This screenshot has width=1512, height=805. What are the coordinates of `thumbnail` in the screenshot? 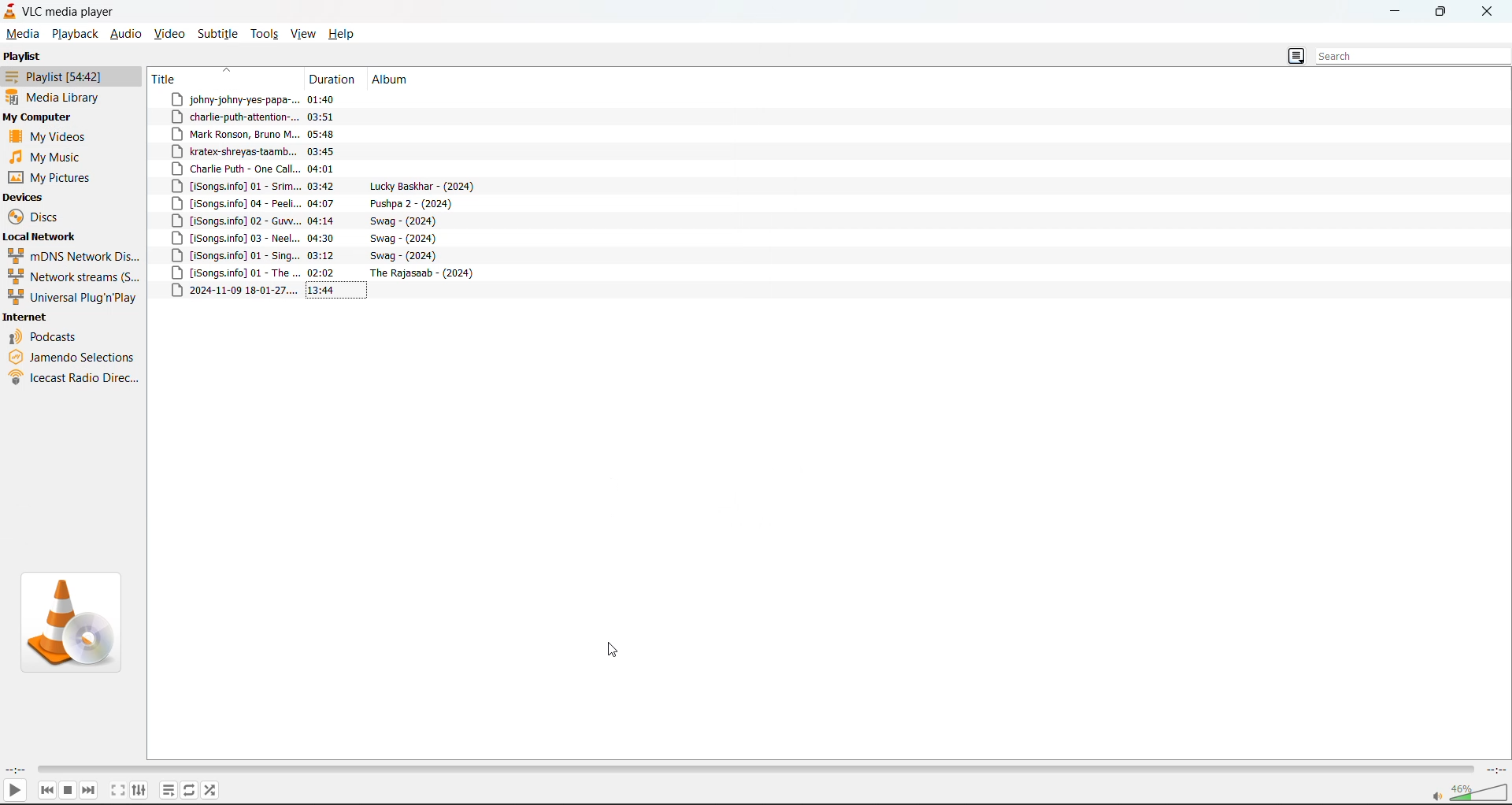 It's located at (69, 621).